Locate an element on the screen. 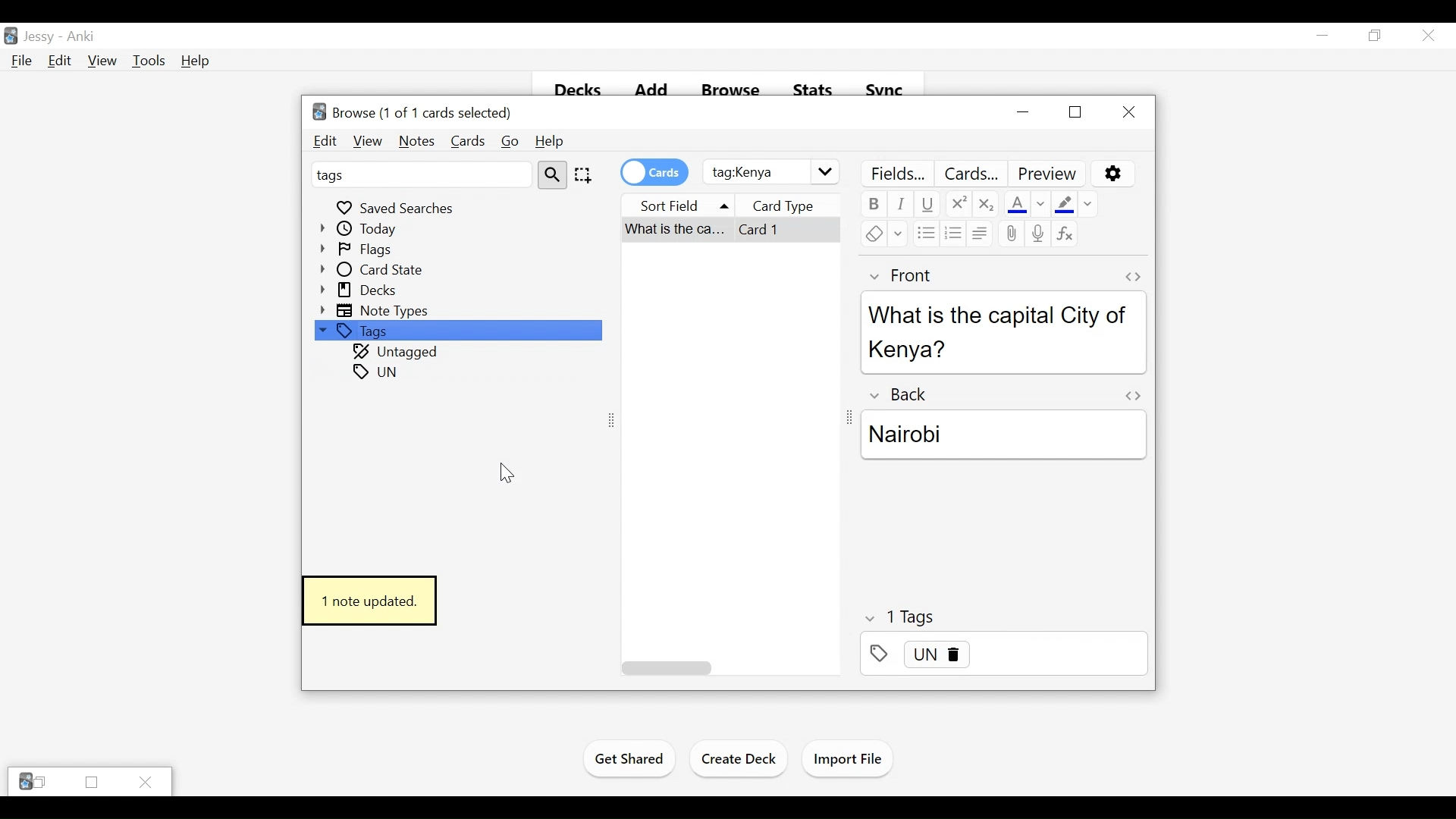 This screenshot has height=819, width=1456. Record Audio is located at coordinates (1039, 234).